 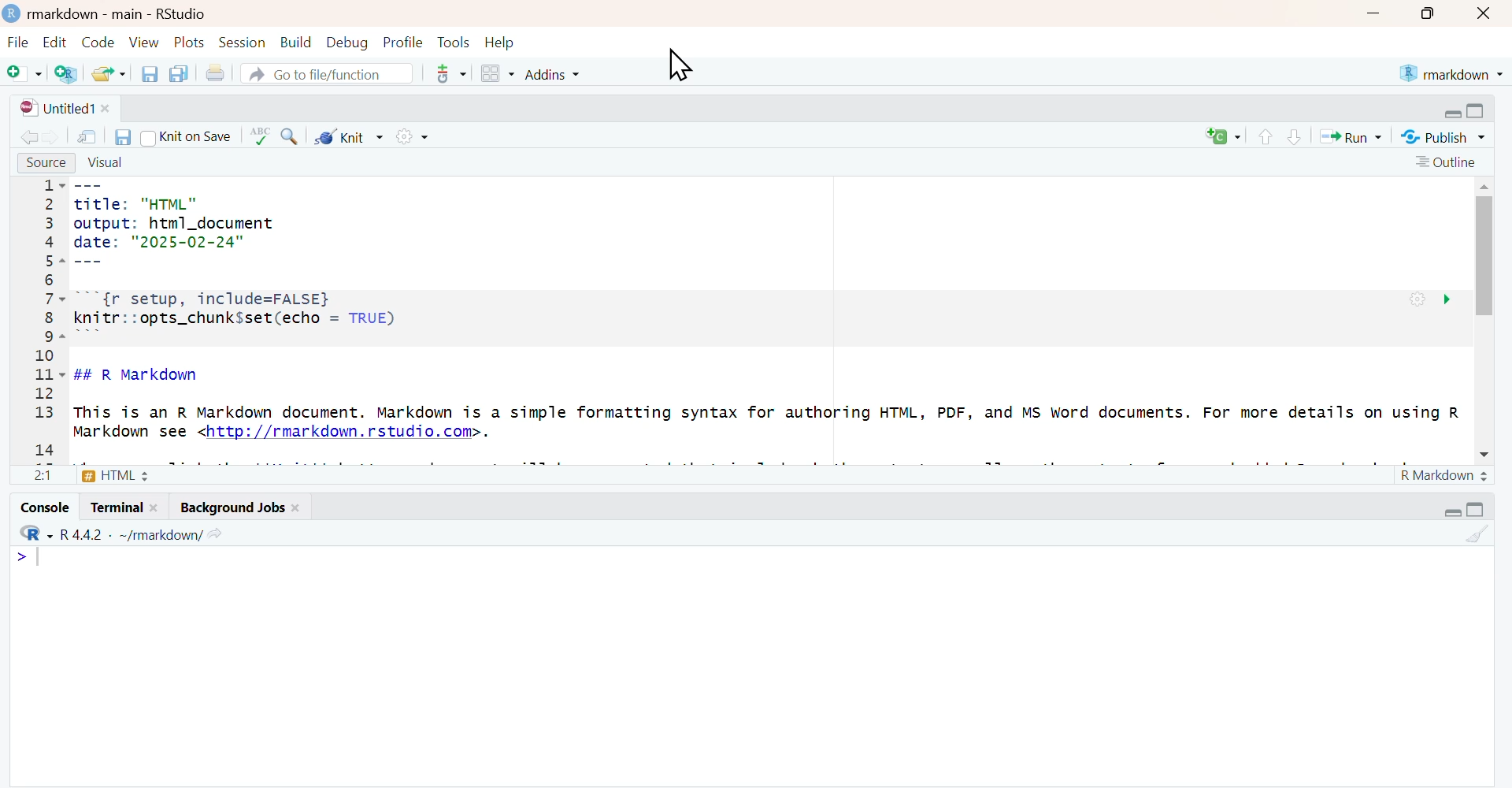 I want to click on Knit, so click(x=349, y=136).